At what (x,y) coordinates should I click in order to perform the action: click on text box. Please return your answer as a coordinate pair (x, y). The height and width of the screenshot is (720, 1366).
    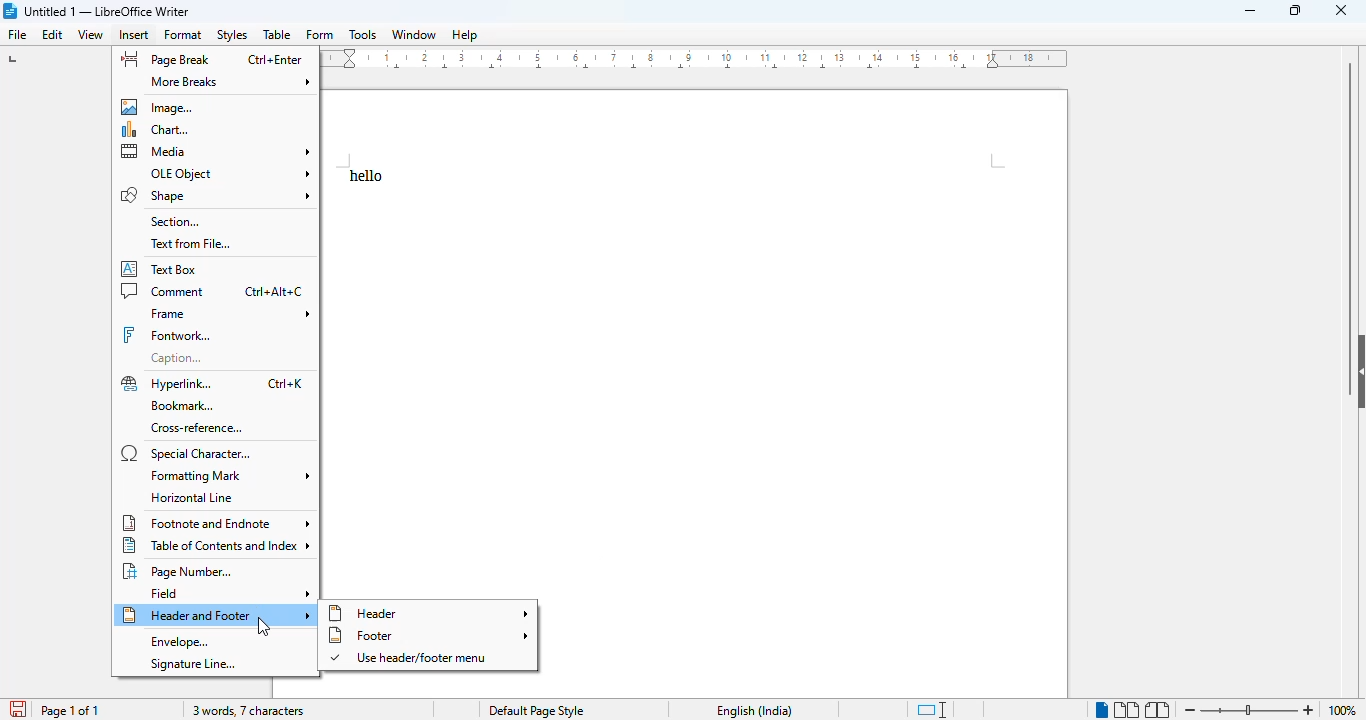
    Looking at the image, I should click on (160, 269).